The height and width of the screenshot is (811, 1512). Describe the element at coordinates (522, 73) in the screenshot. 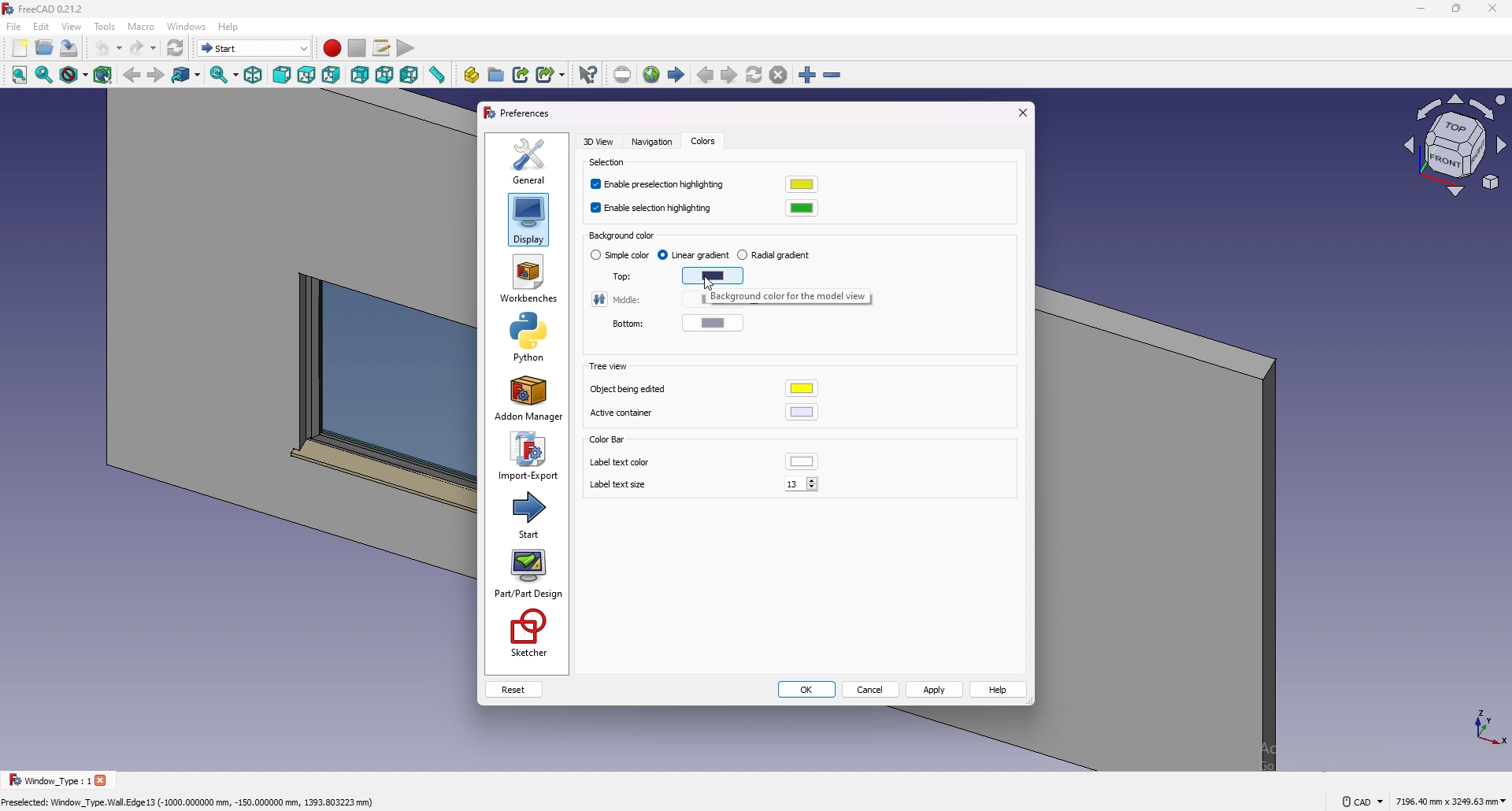

I see `make link` at that location.